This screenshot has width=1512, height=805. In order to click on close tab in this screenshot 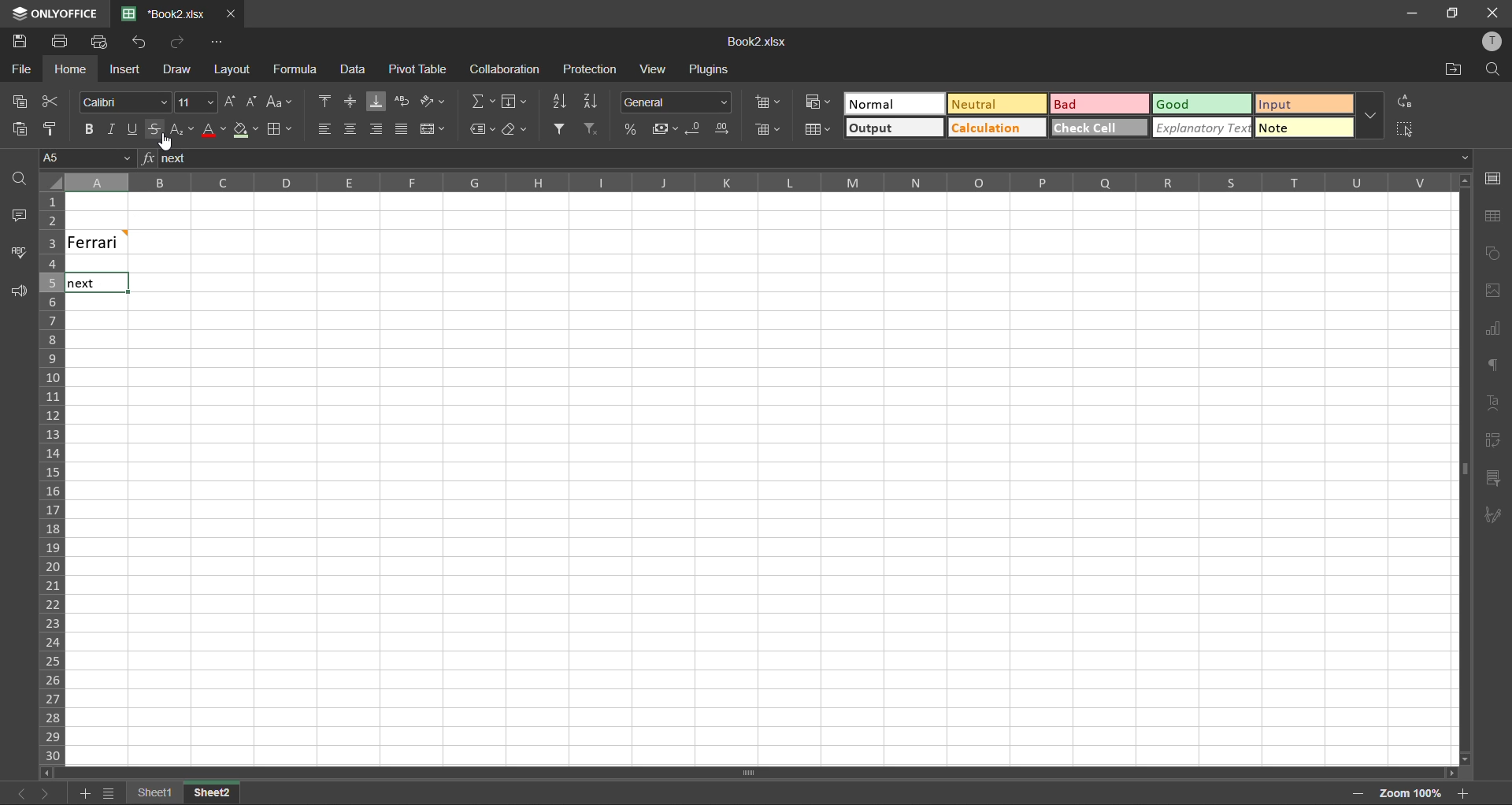, I will do `click(235, 15)`.